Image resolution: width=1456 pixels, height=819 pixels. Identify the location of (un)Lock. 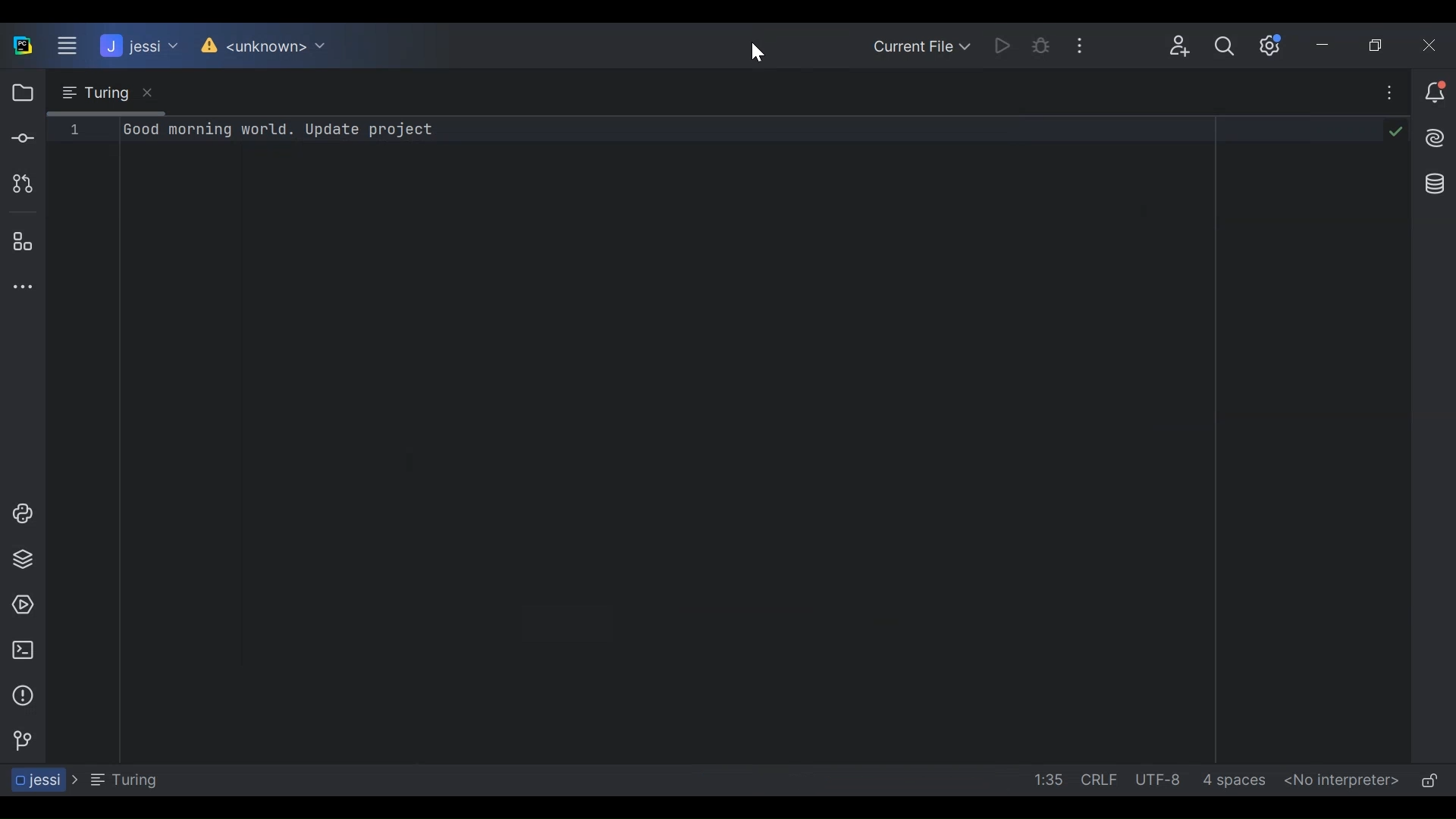
(1429, 781).